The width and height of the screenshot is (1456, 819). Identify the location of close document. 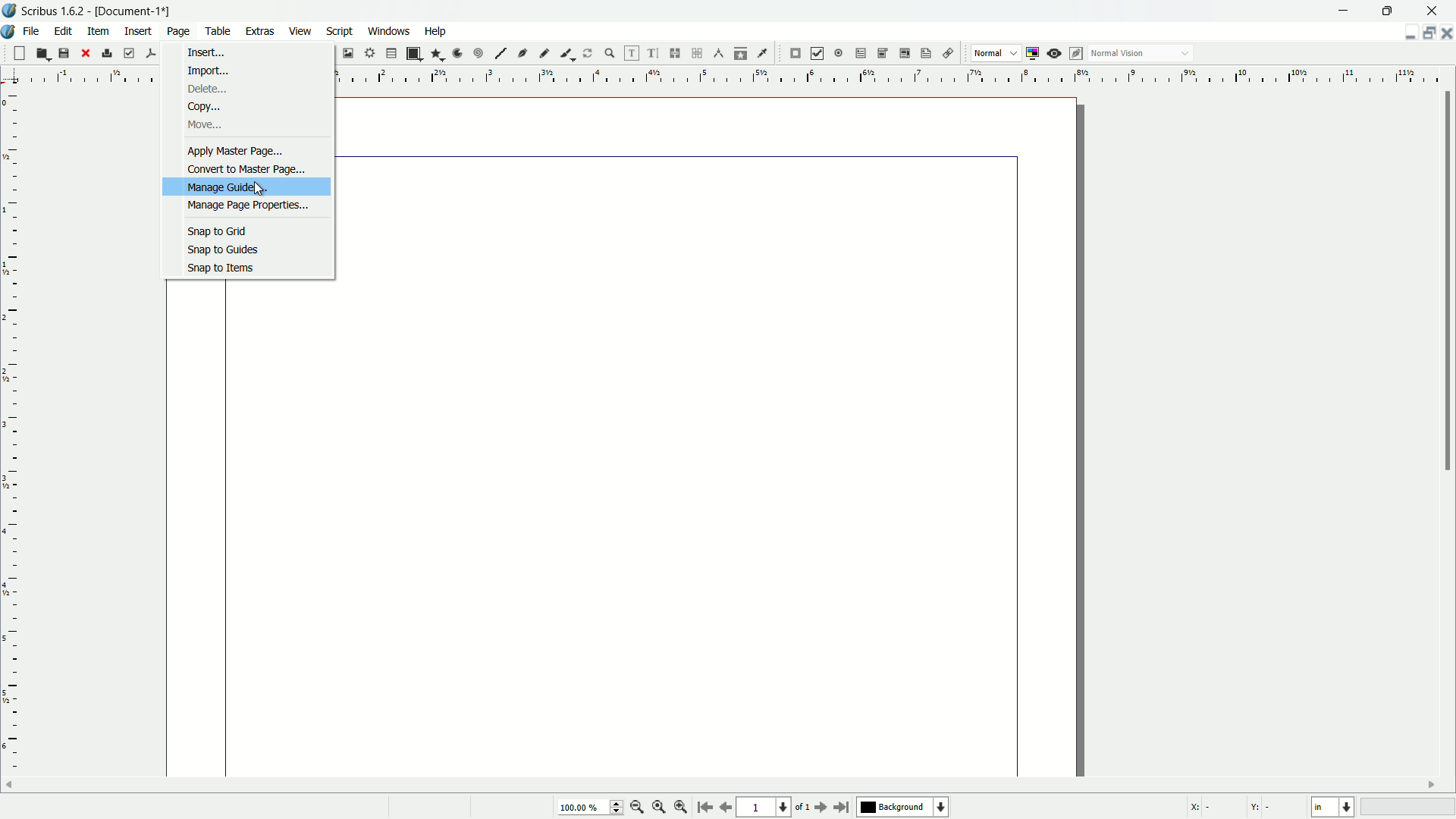
(1447, 33).